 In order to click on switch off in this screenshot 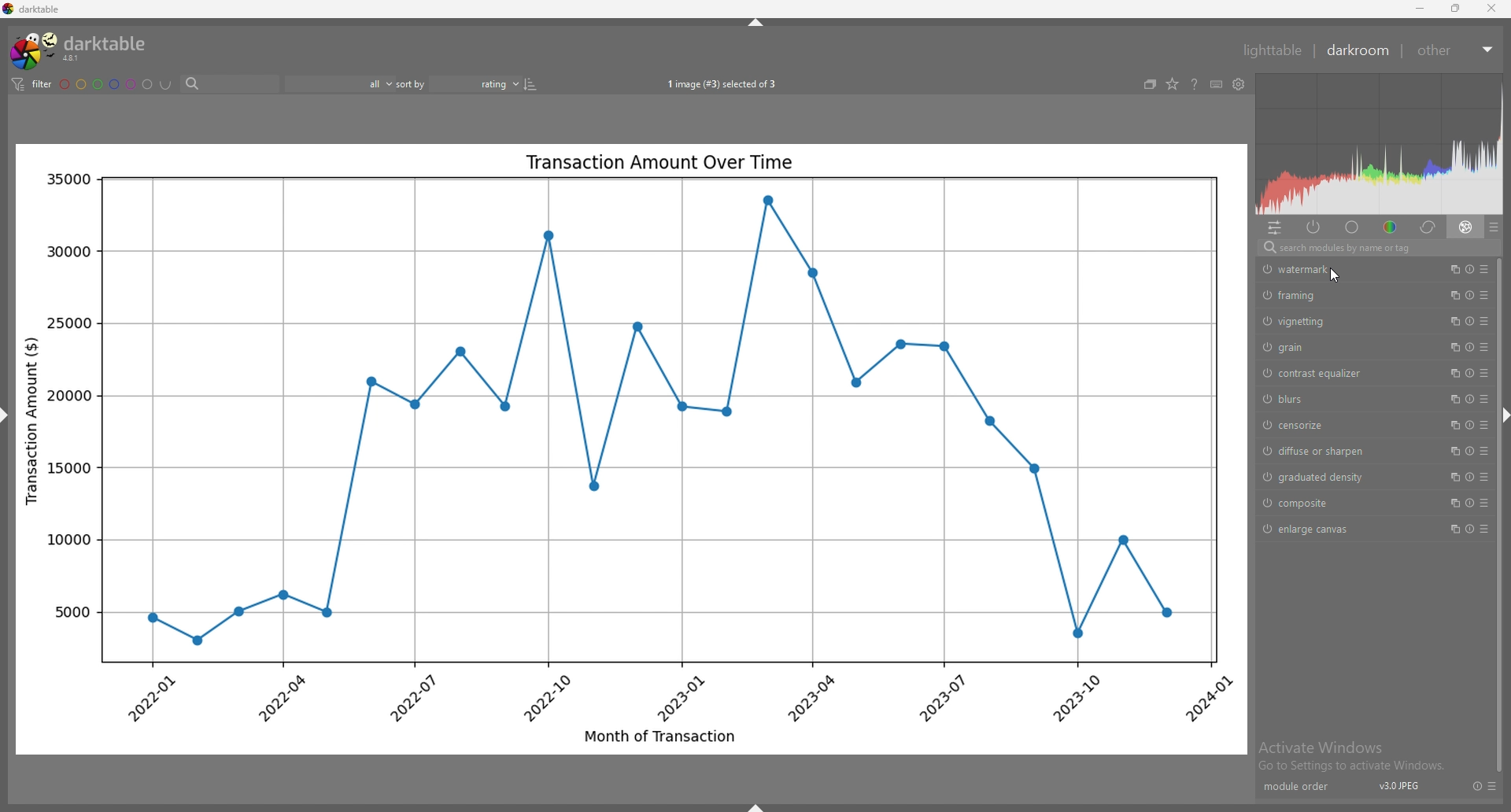, I will do `click(1267, 320)`.